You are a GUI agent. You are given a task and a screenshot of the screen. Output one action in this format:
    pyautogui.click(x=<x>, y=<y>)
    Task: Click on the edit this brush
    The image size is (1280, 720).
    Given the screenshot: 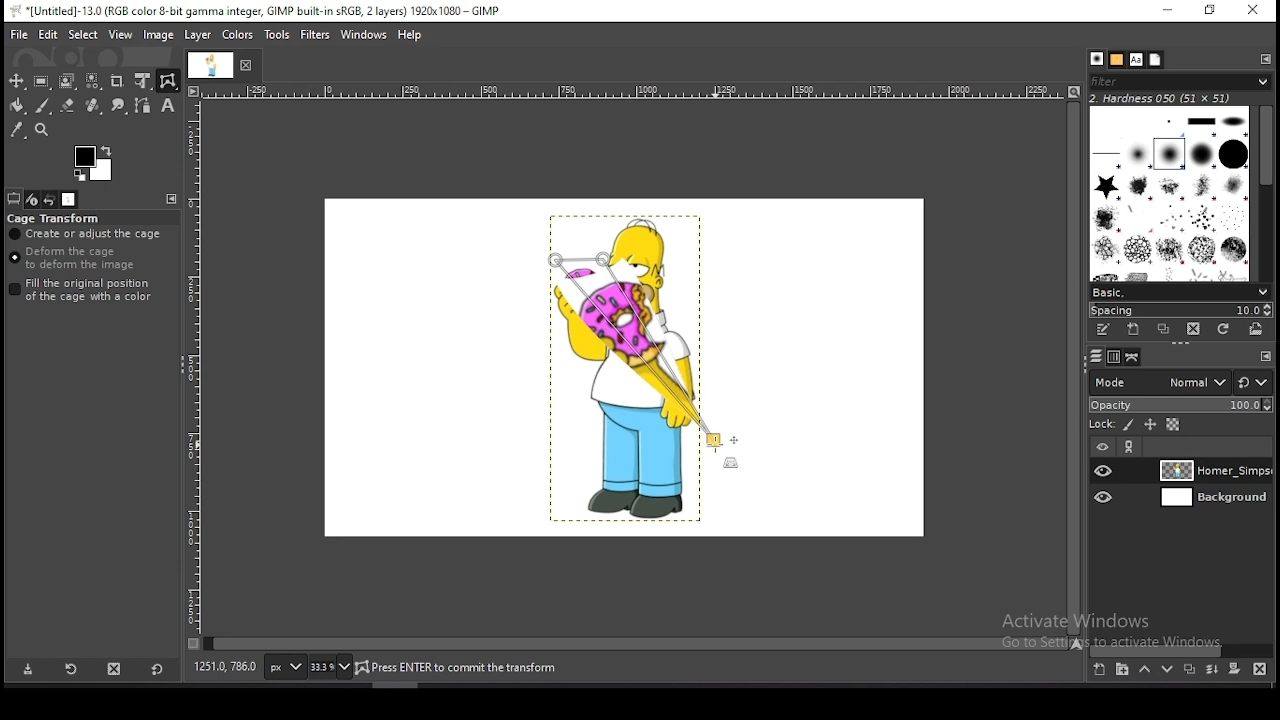 What is the action you would take?
    pyautogui.click(x=1106, y=330)
    